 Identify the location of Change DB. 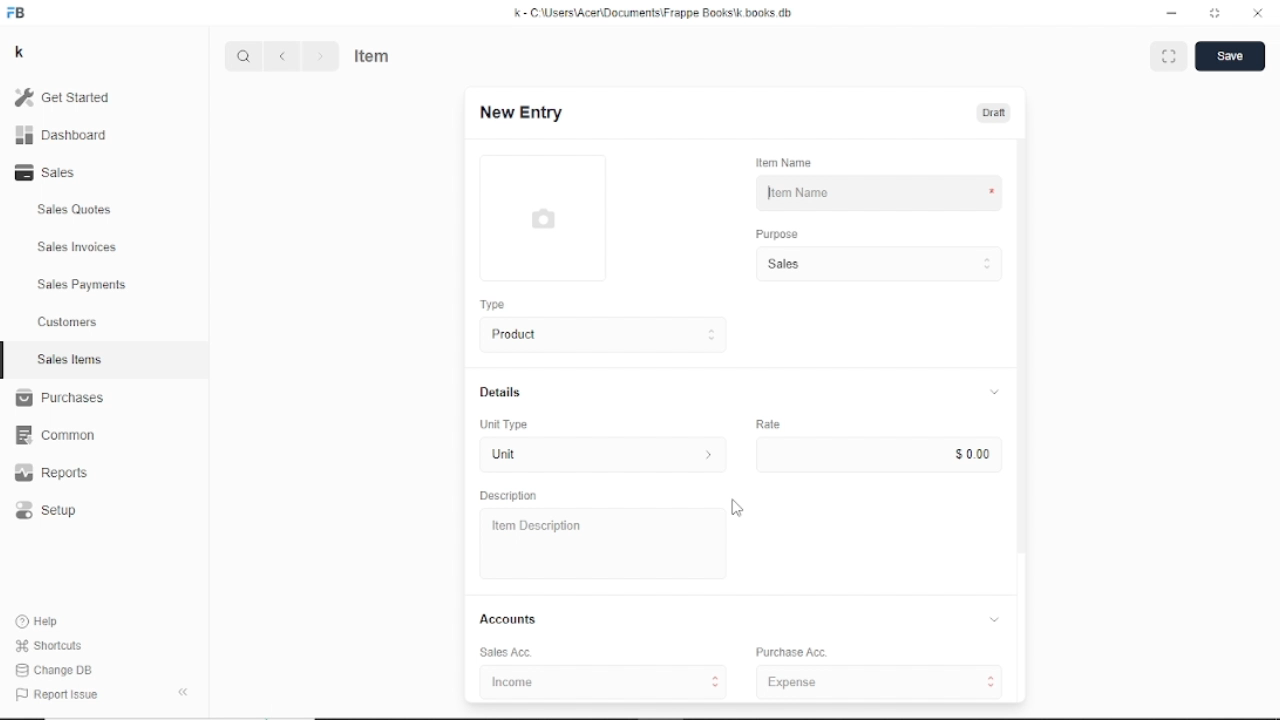
(57, 671).